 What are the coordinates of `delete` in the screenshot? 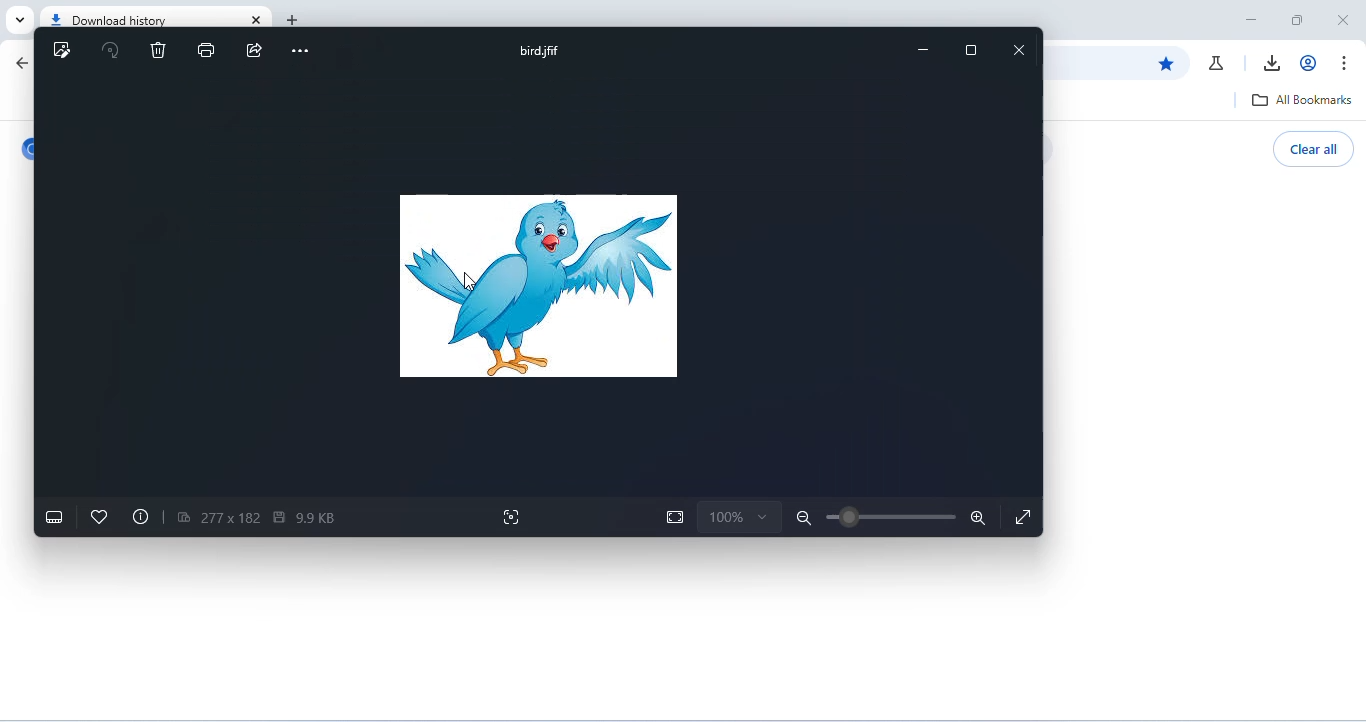 It's located at (162, 52).